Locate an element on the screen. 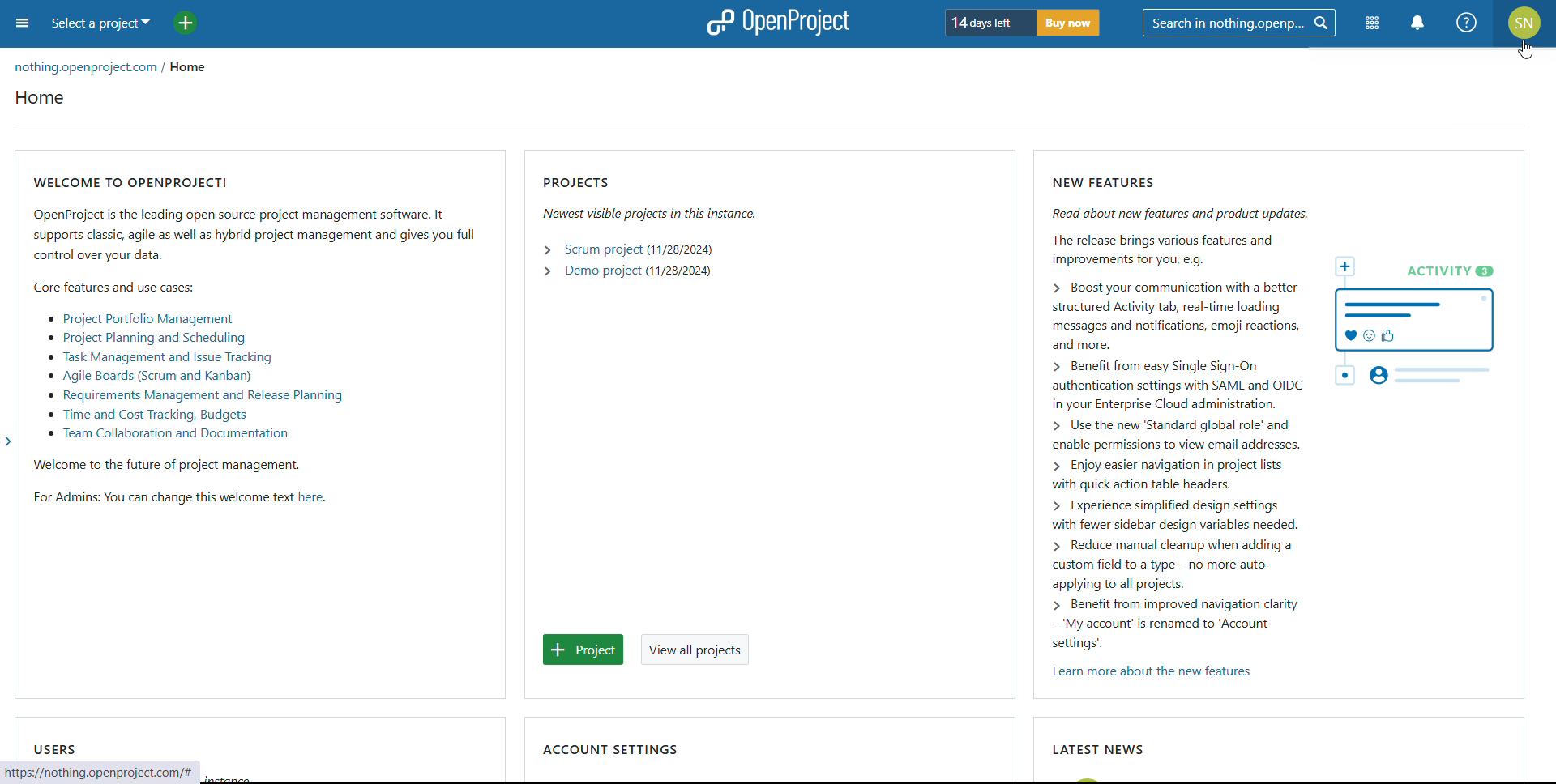  modules is located at coordinates (1371, 24).